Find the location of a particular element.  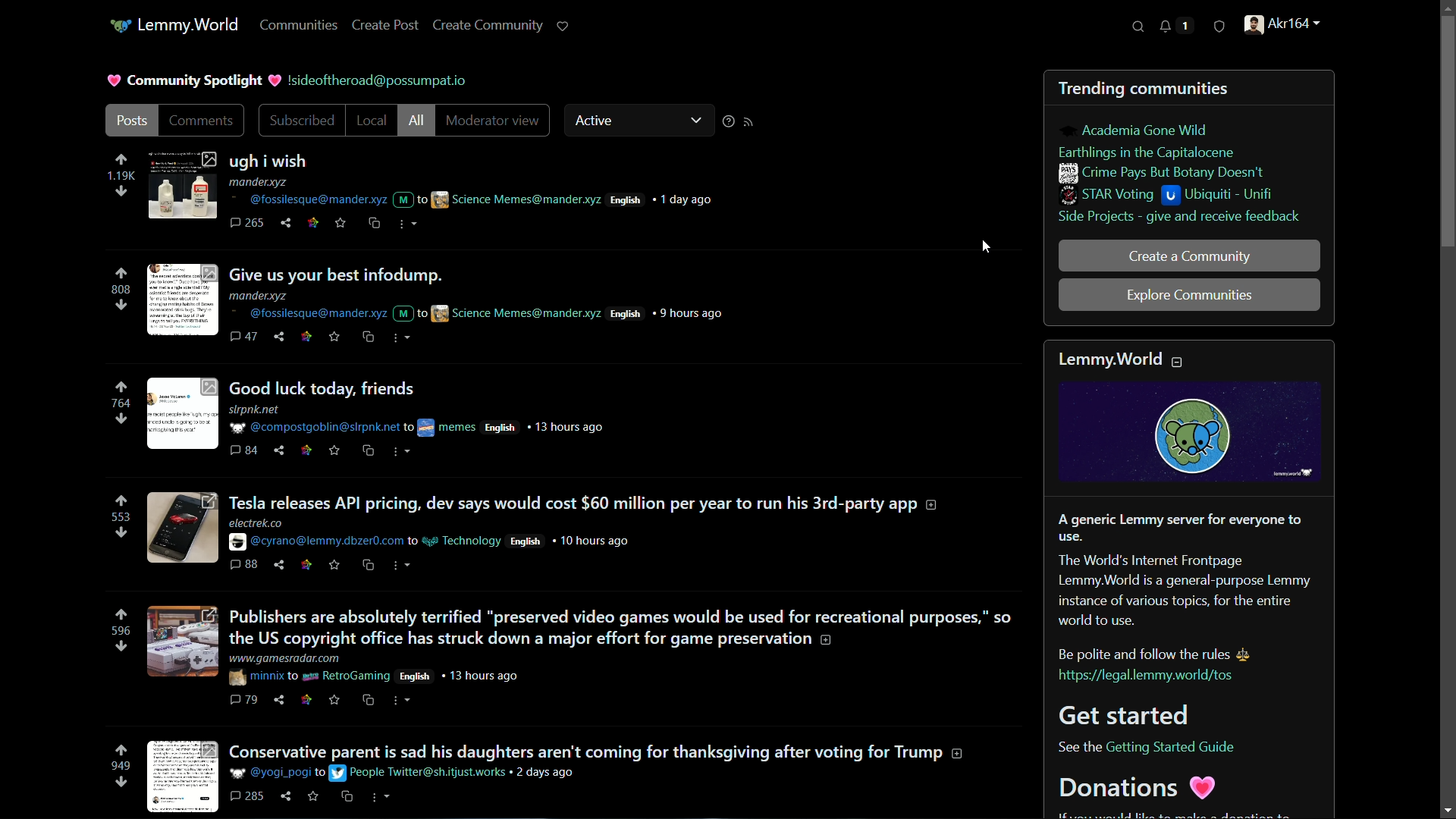

save is located at coordinates (334, 450).